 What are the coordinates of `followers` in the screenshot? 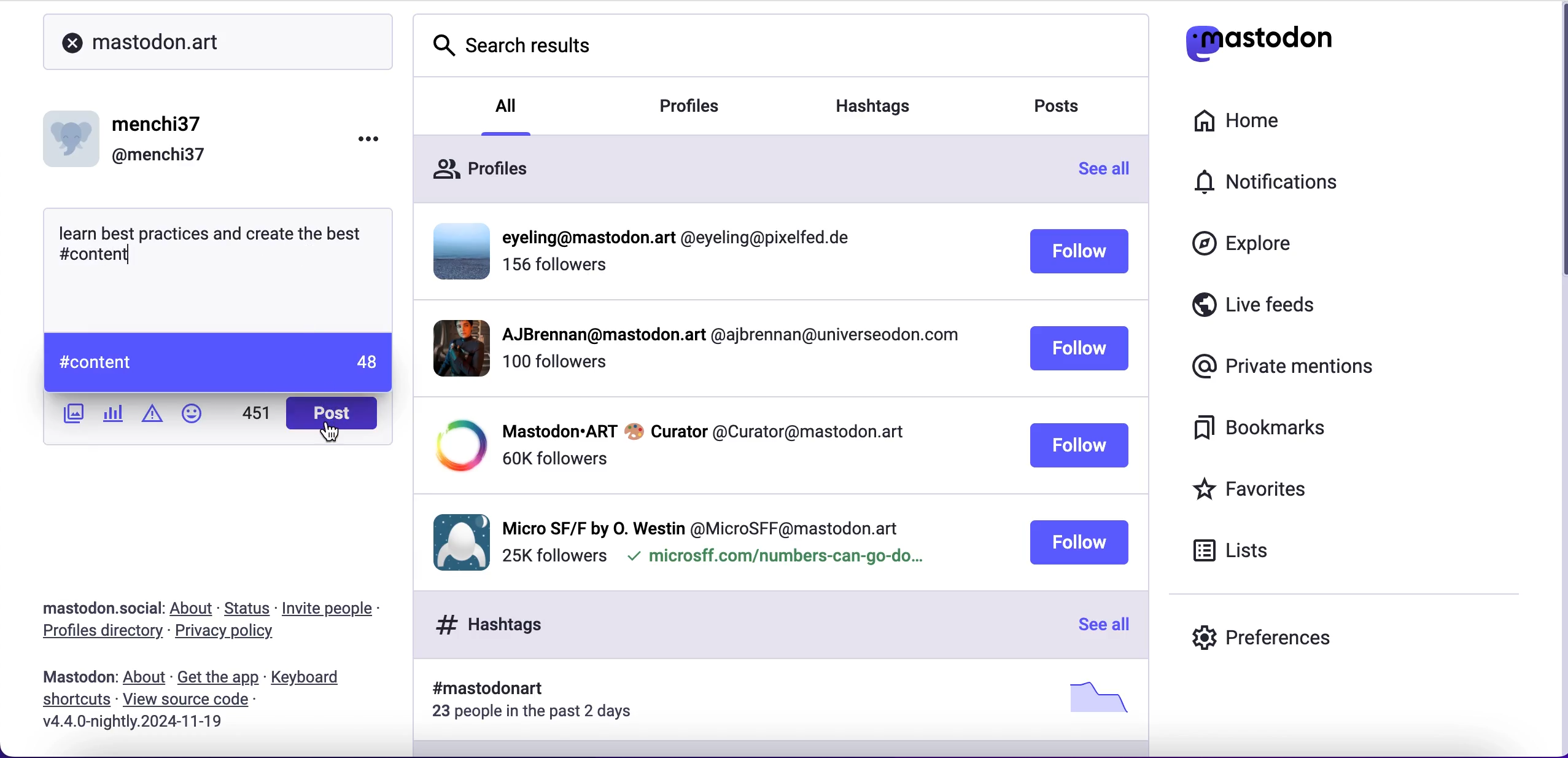 It's located at (554, 459).